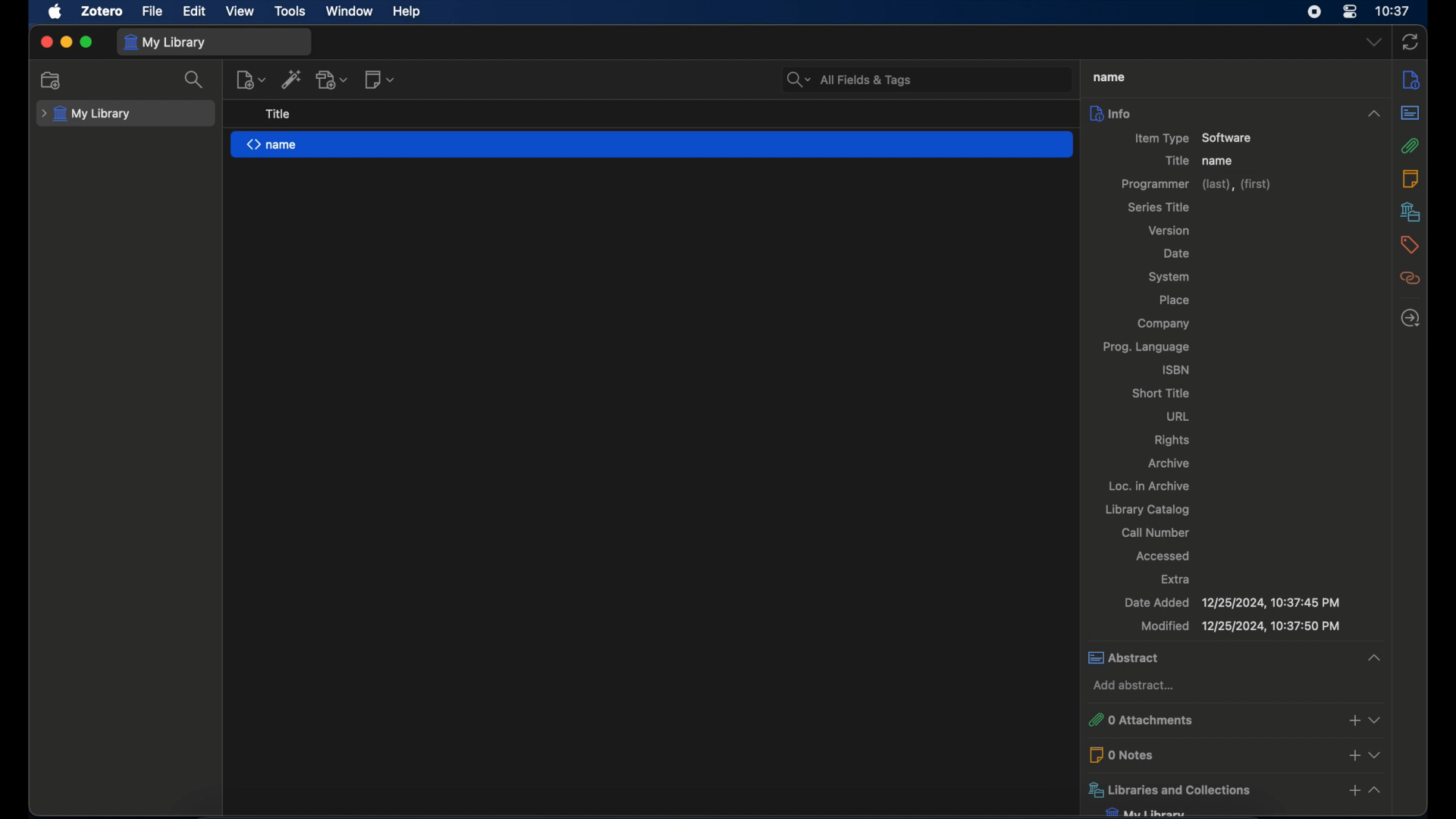 This screenshot has width=1456, height=819. What do you see at coordinates (1191, 137) in the screenshot?
I see `item type software` at bounding box center [1191, 137].